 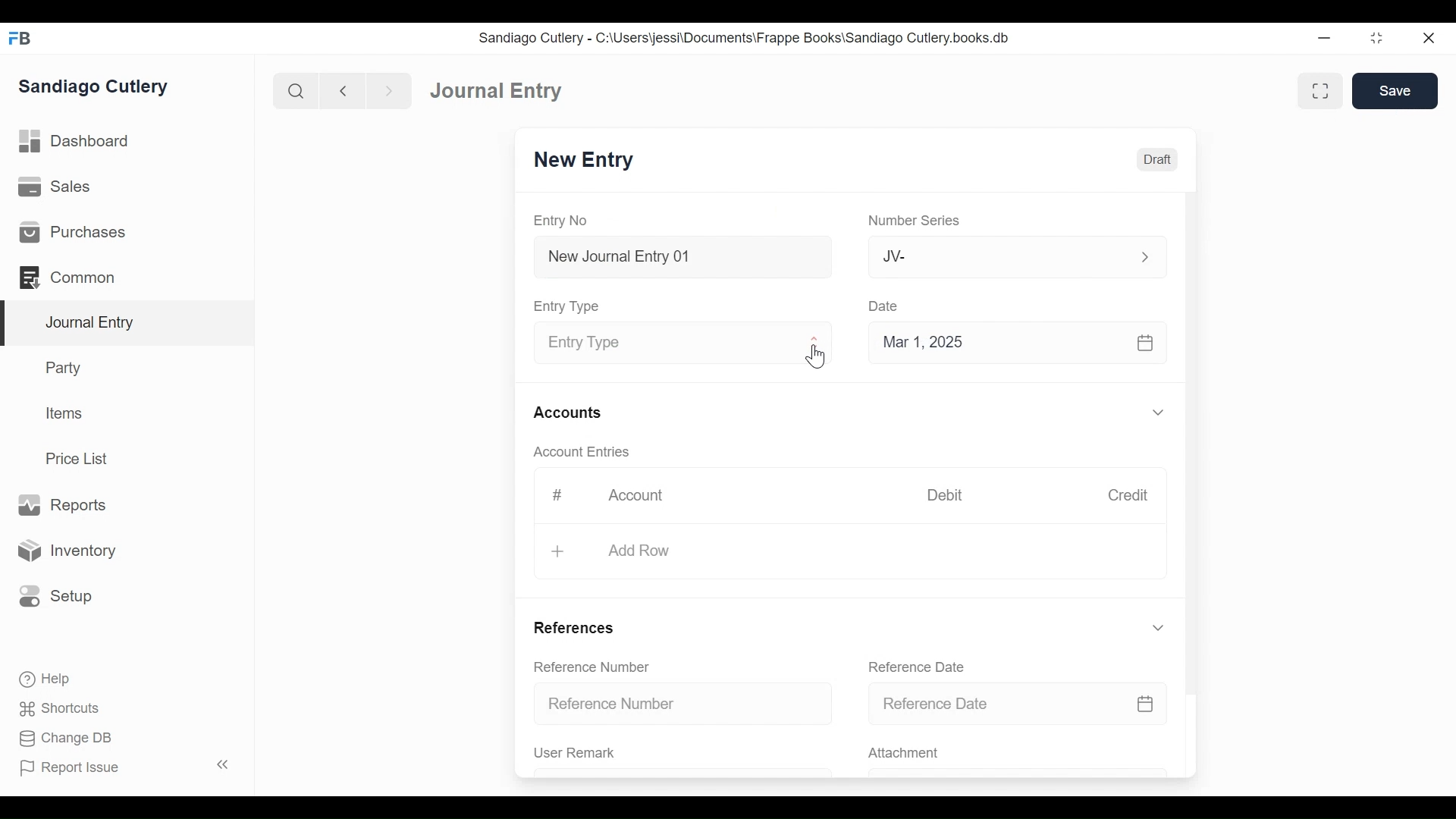 I want to click on close, so click(x=1434, y=36).